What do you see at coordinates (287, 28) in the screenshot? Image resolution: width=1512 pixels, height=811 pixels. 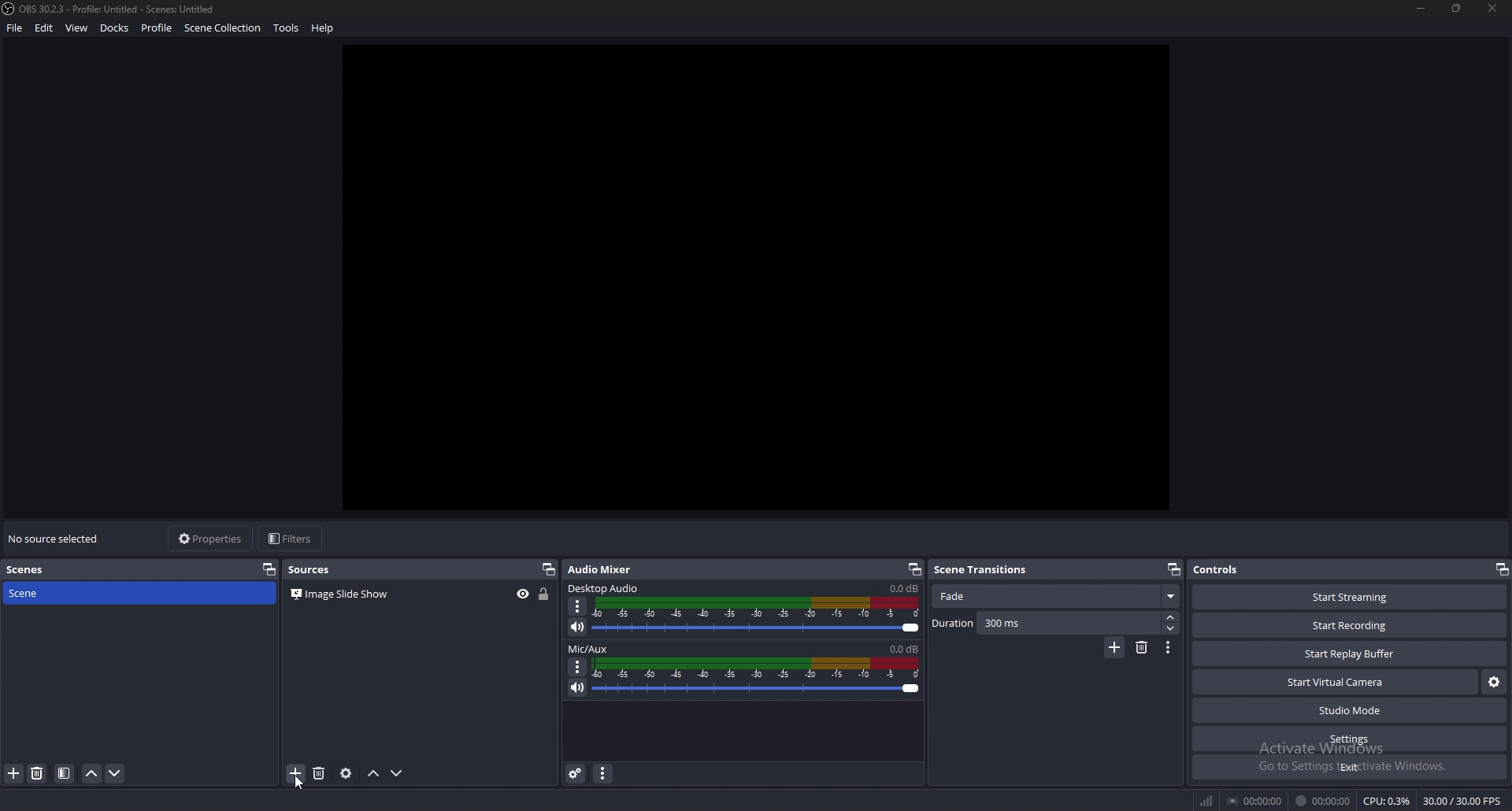 I see `tools` at bounding box center [287, 28].